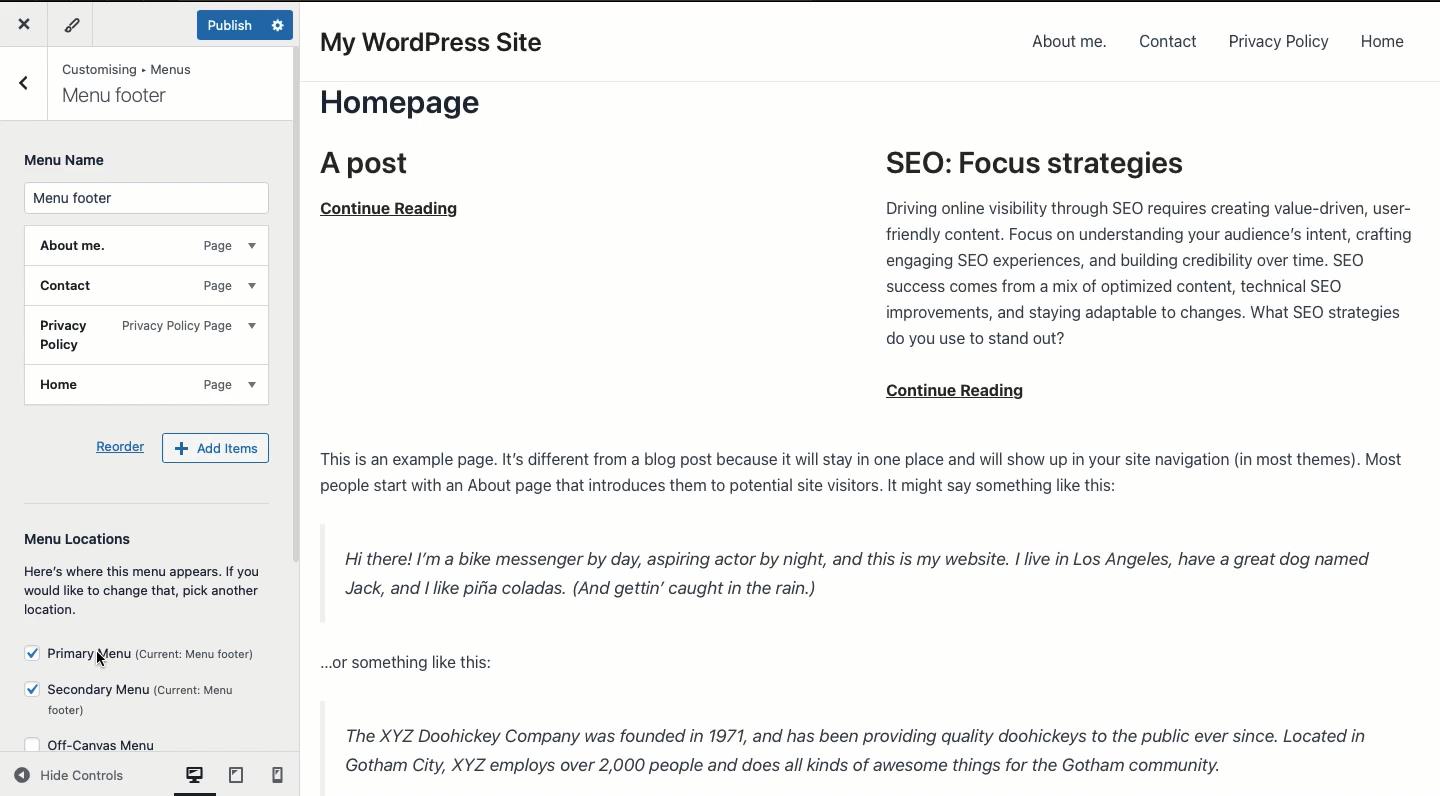  Describe the element at coordinates (1383, 39) in the screenshot. I see `Home` at that location.